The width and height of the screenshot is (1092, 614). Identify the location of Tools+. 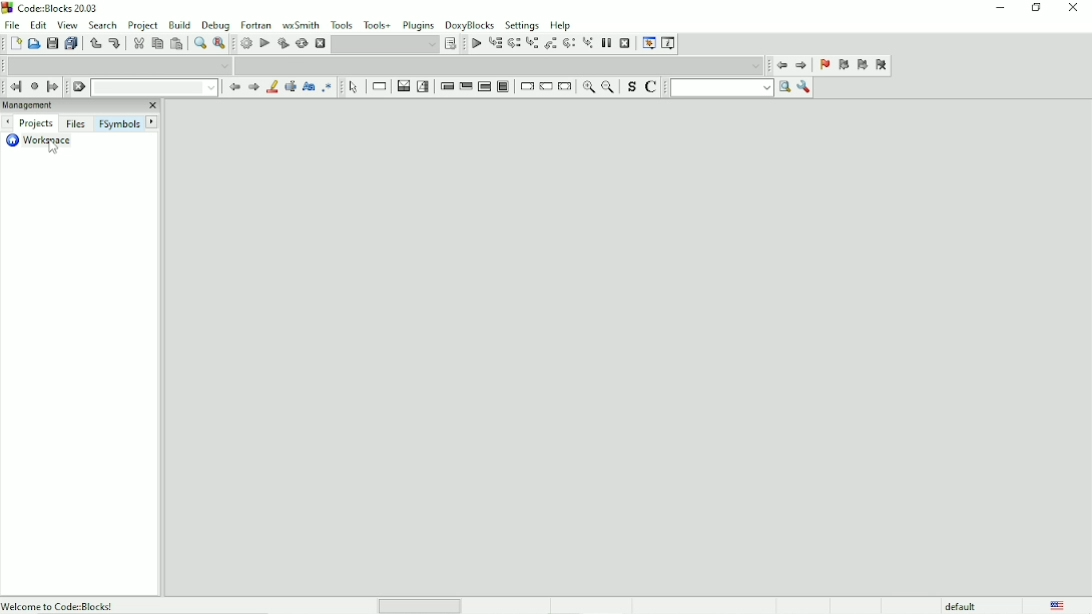
(378, 24).